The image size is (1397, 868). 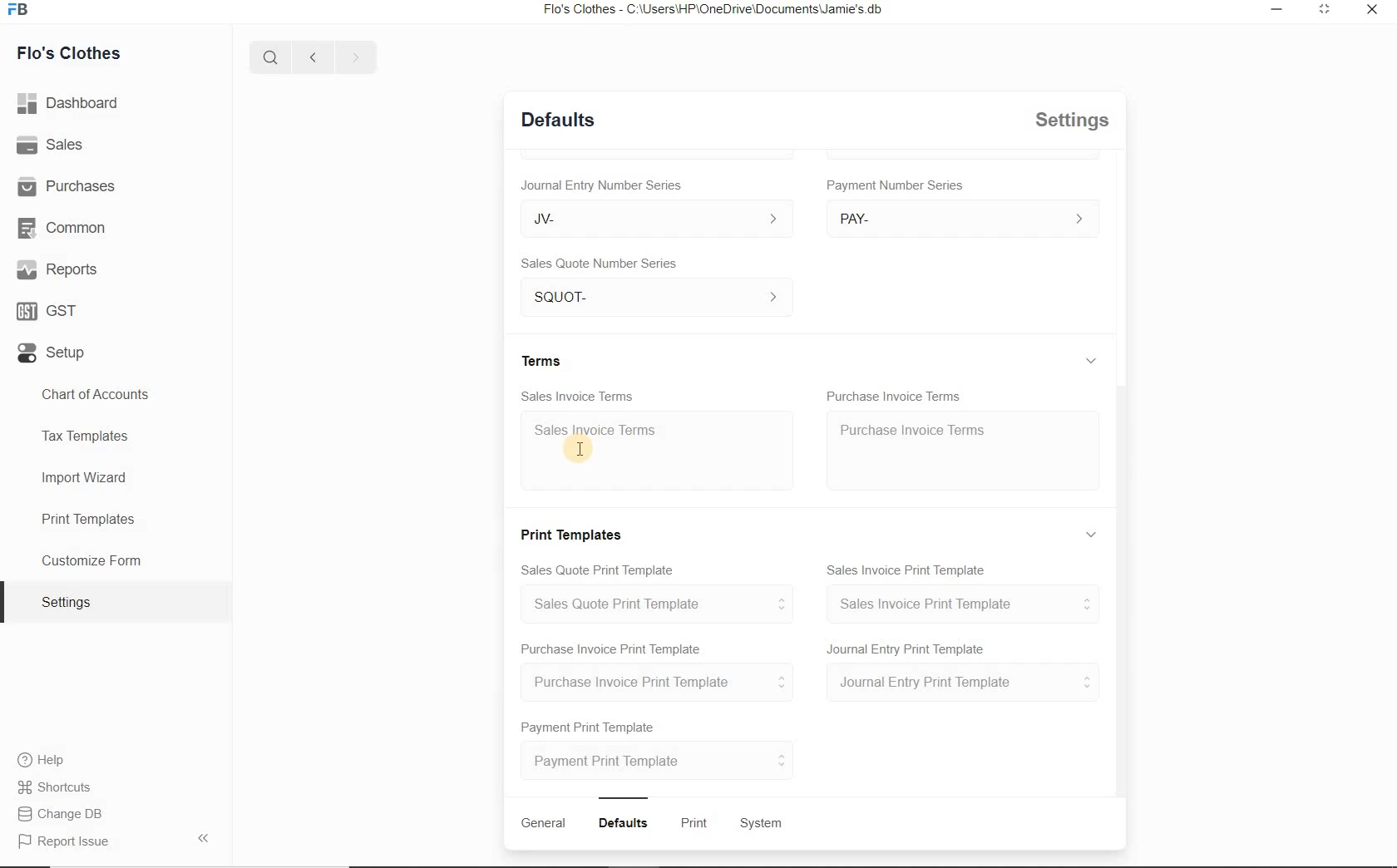 I want to click on Flo's Clothes - C:\Users\HP\OneDrive\Documents\Jamie's.db, so click(x=718, y=11).